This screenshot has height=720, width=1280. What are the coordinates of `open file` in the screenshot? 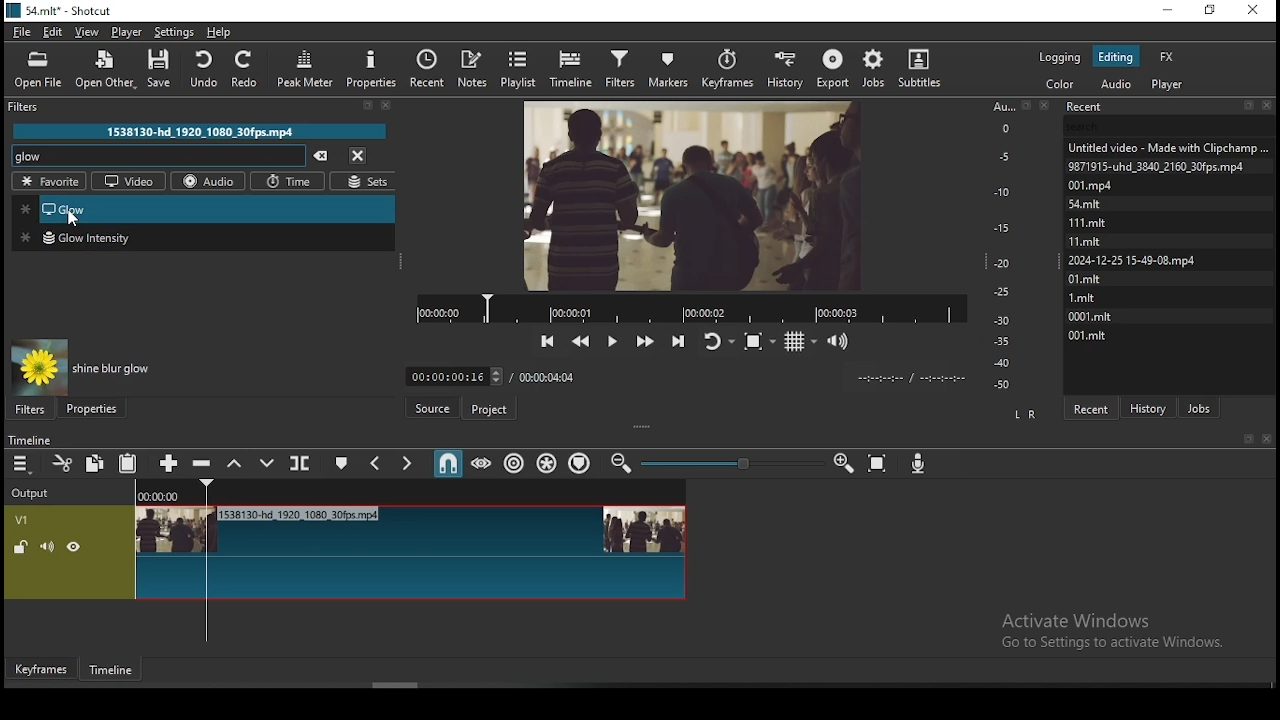 It's located at (41, 69).